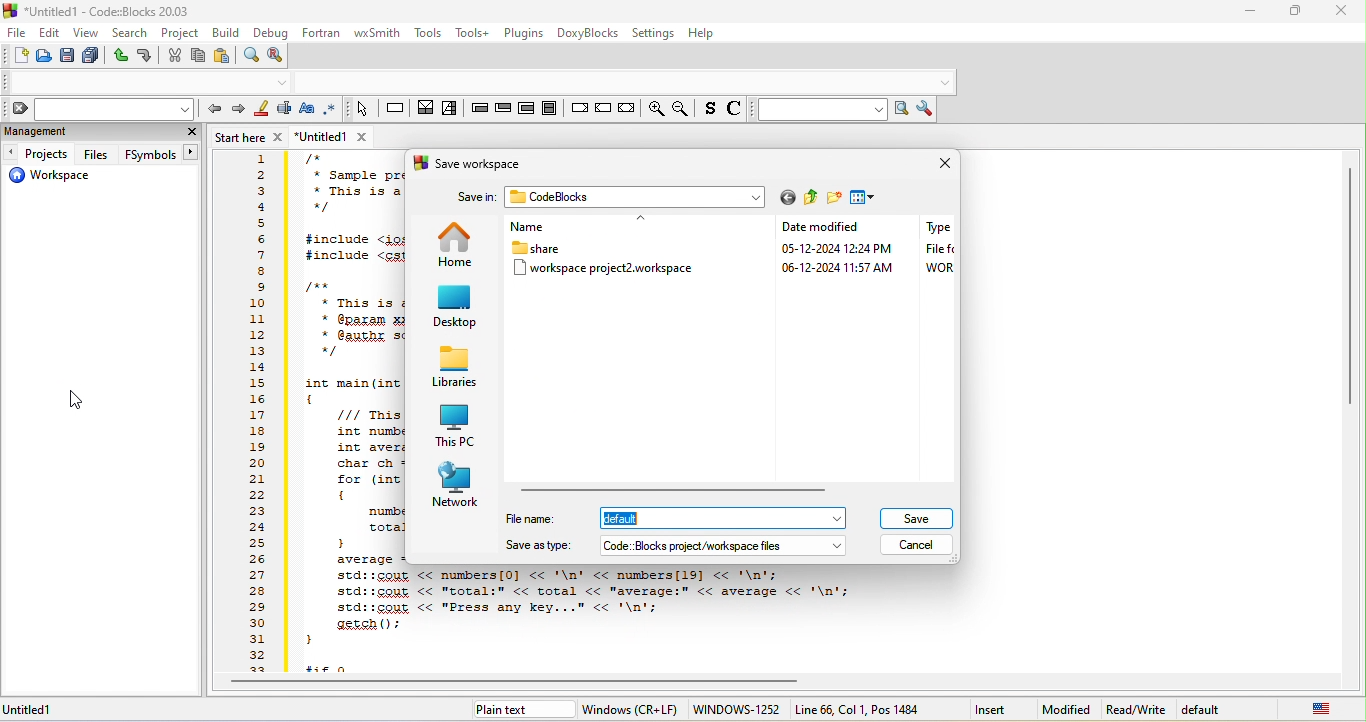 The width and height of the screenshot is (1366, 722). I want to click on help, so click(702, 33).